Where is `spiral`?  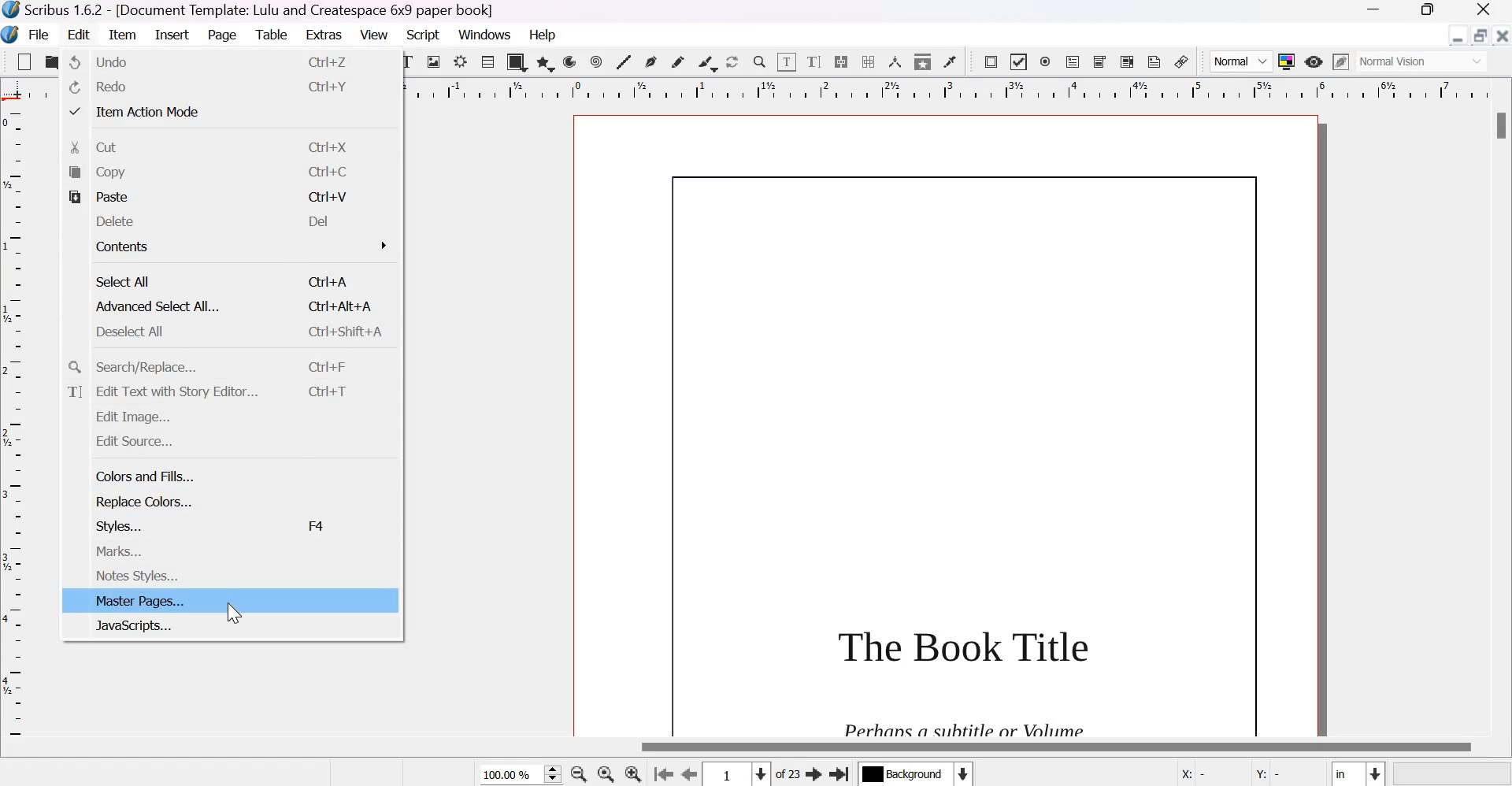
spiral is located at coordinates (597, 61).